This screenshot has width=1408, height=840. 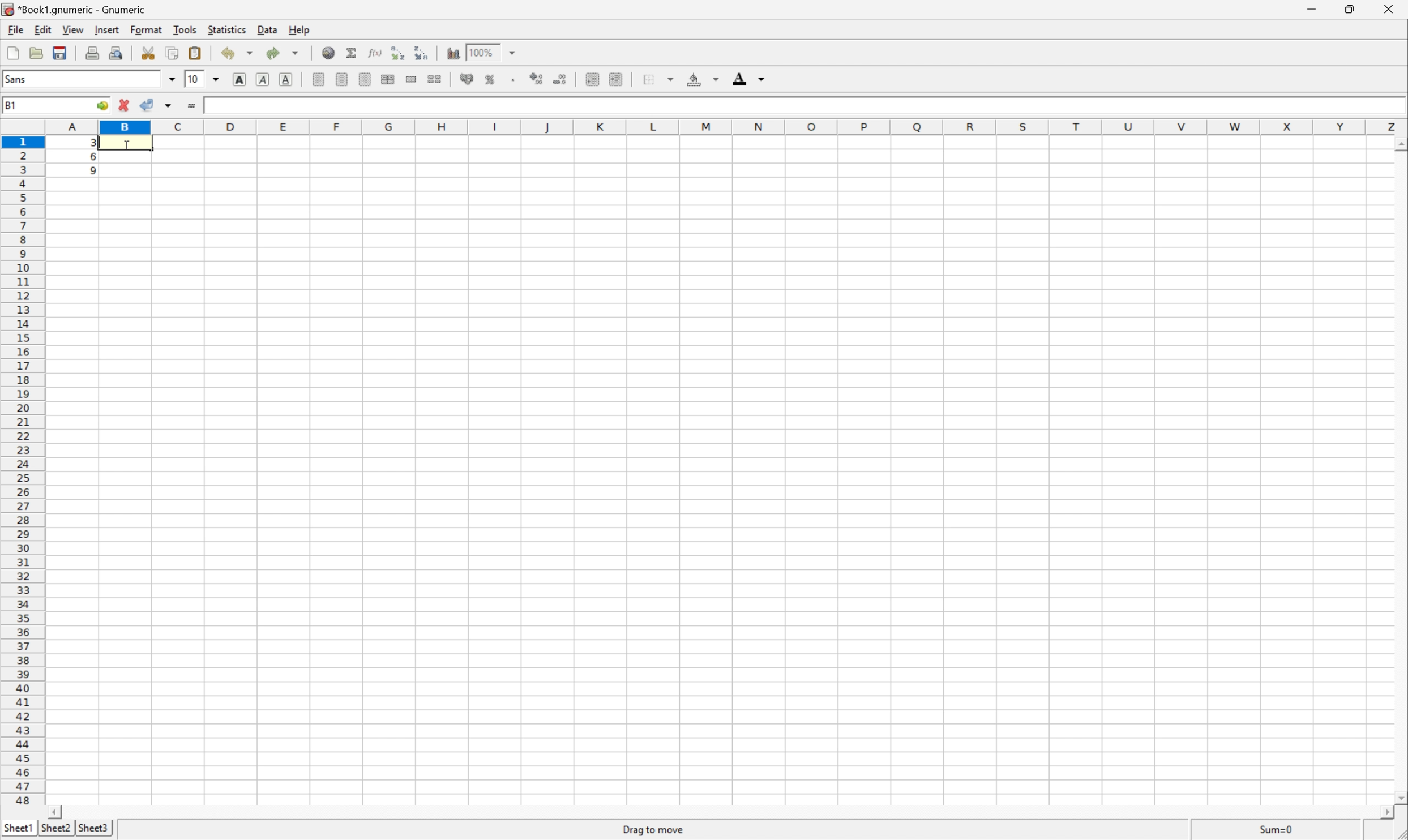 What do you see at coordinates (35, 52) in the screenshot?
I see `Open a file` at bounding box center [35, 52].